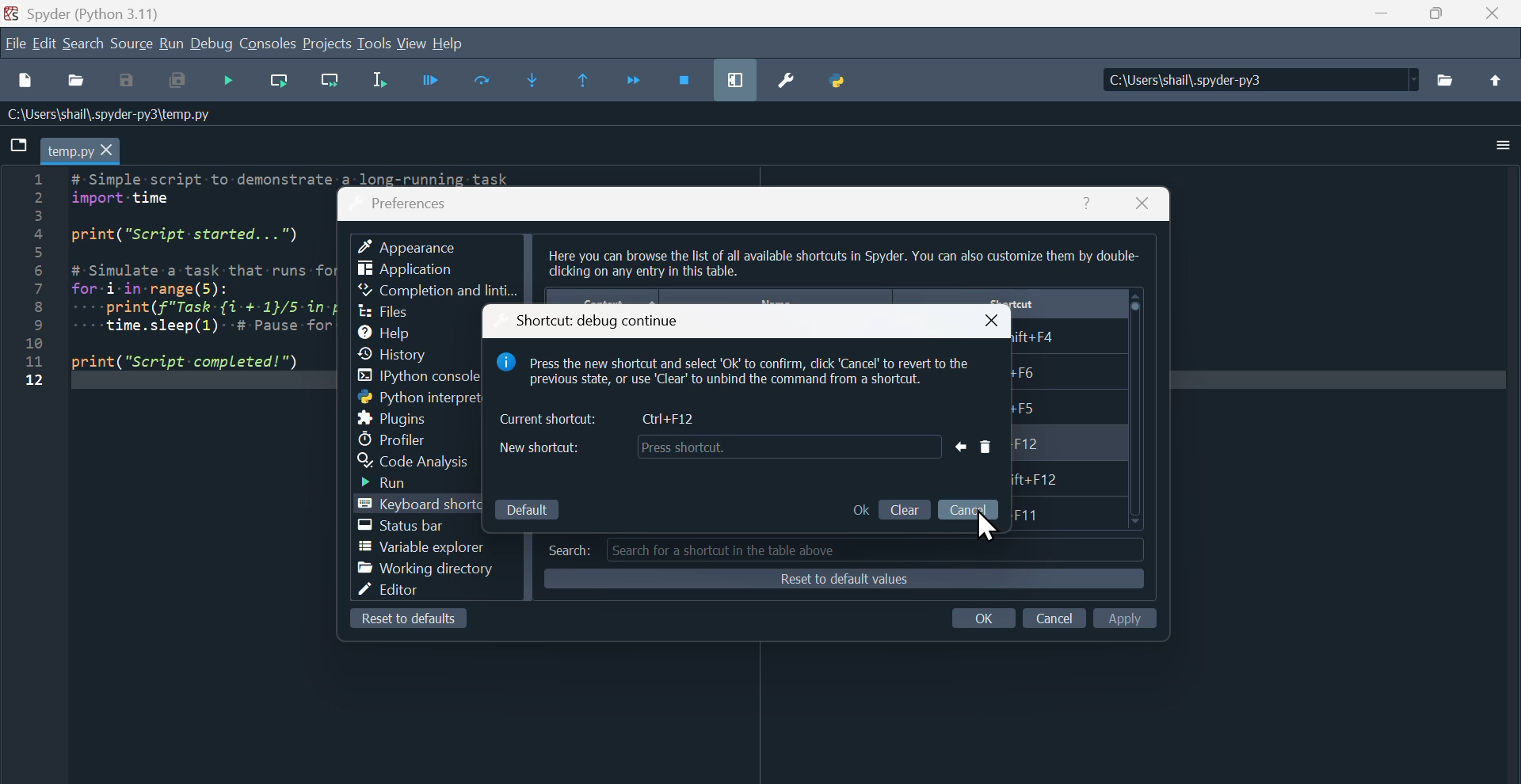  I want to click on Execute until same function returns, so click(583, 80).